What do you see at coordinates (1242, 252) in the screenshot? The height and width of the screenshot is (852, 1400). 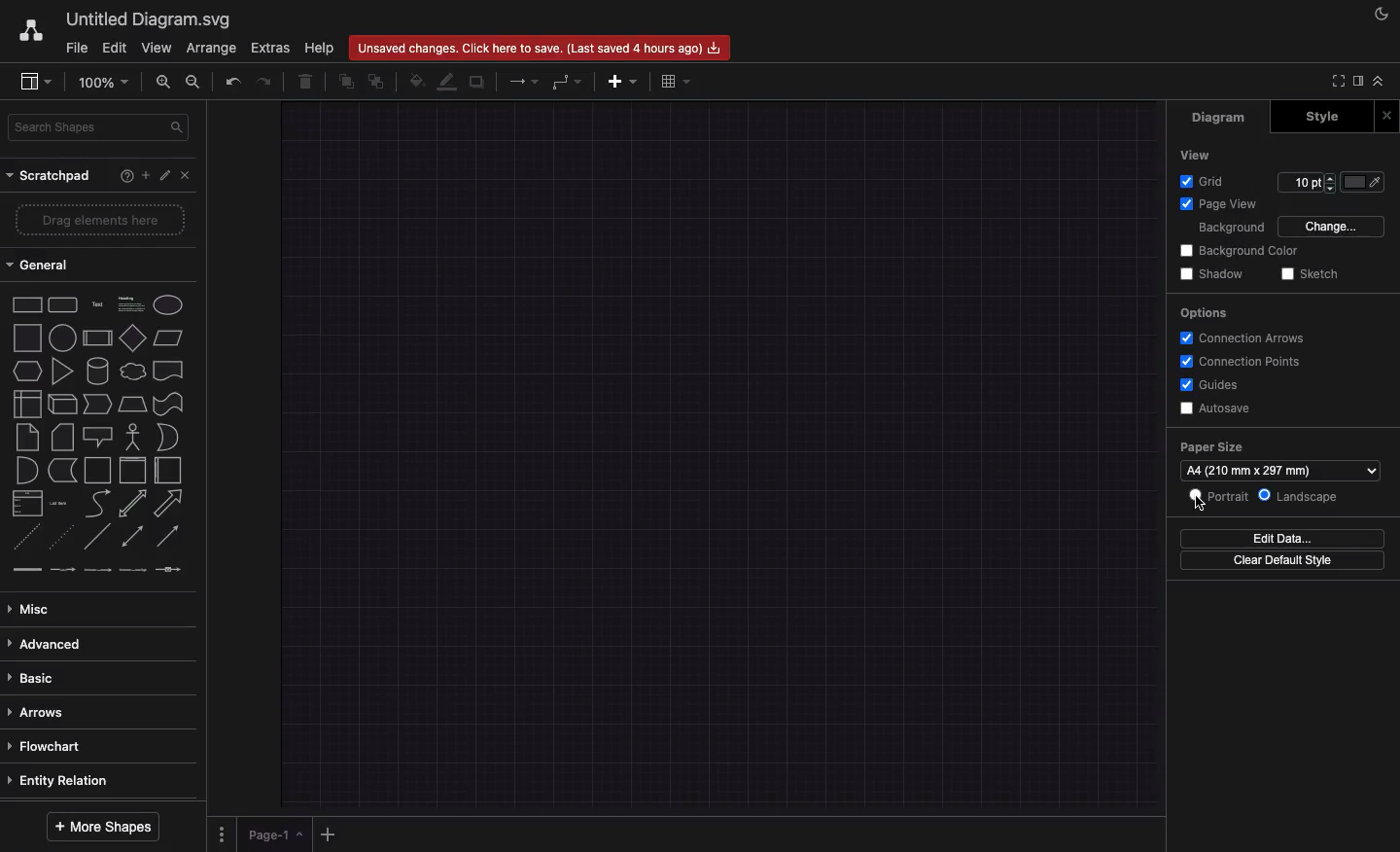 I see `Background color` at bounding box center [1242, 252].